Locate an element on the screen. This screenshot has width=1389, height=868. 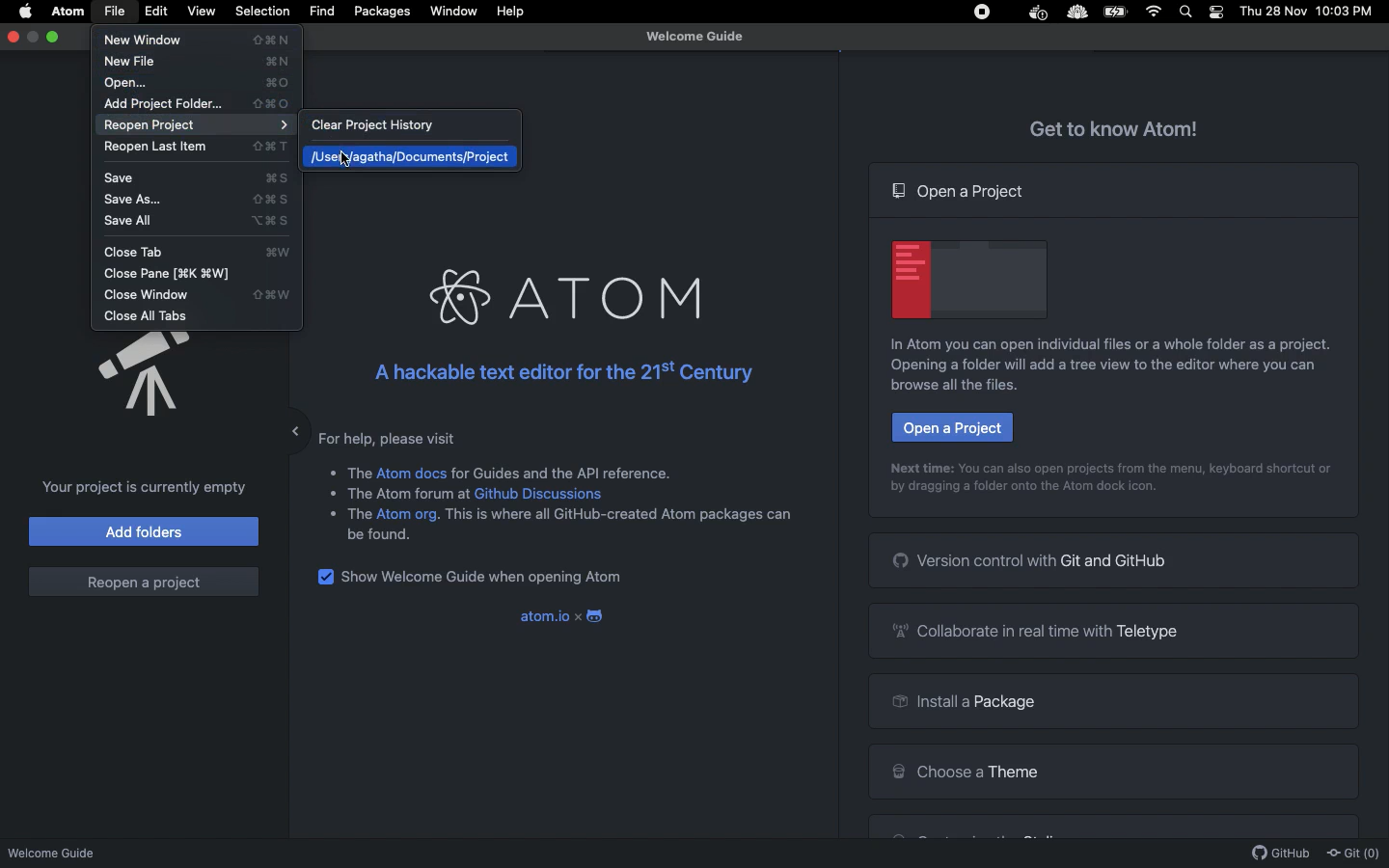
Minimize is located at coordinates (281, 426).